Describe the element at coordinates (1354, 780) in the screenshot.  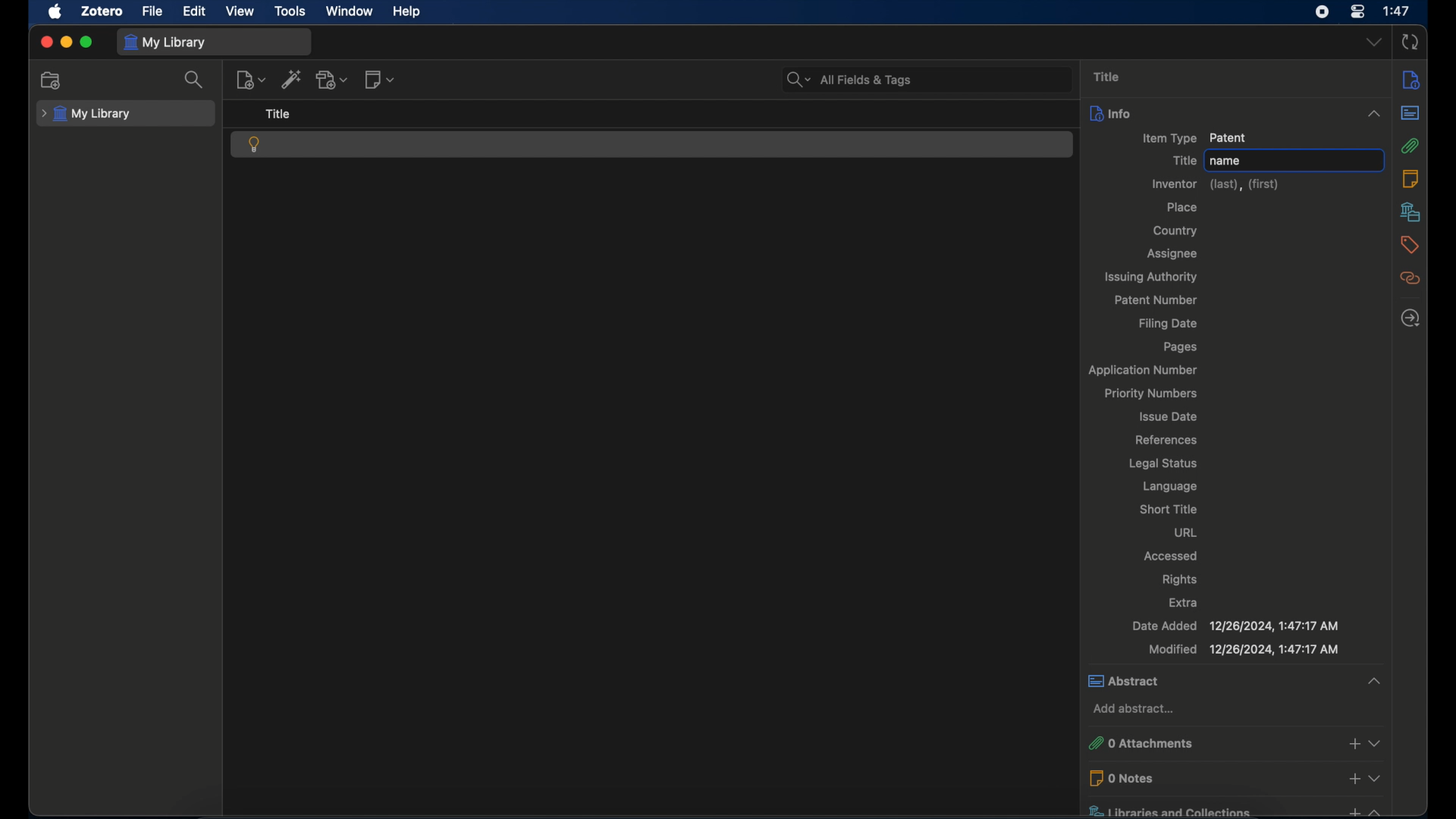
I see `add` at that location.